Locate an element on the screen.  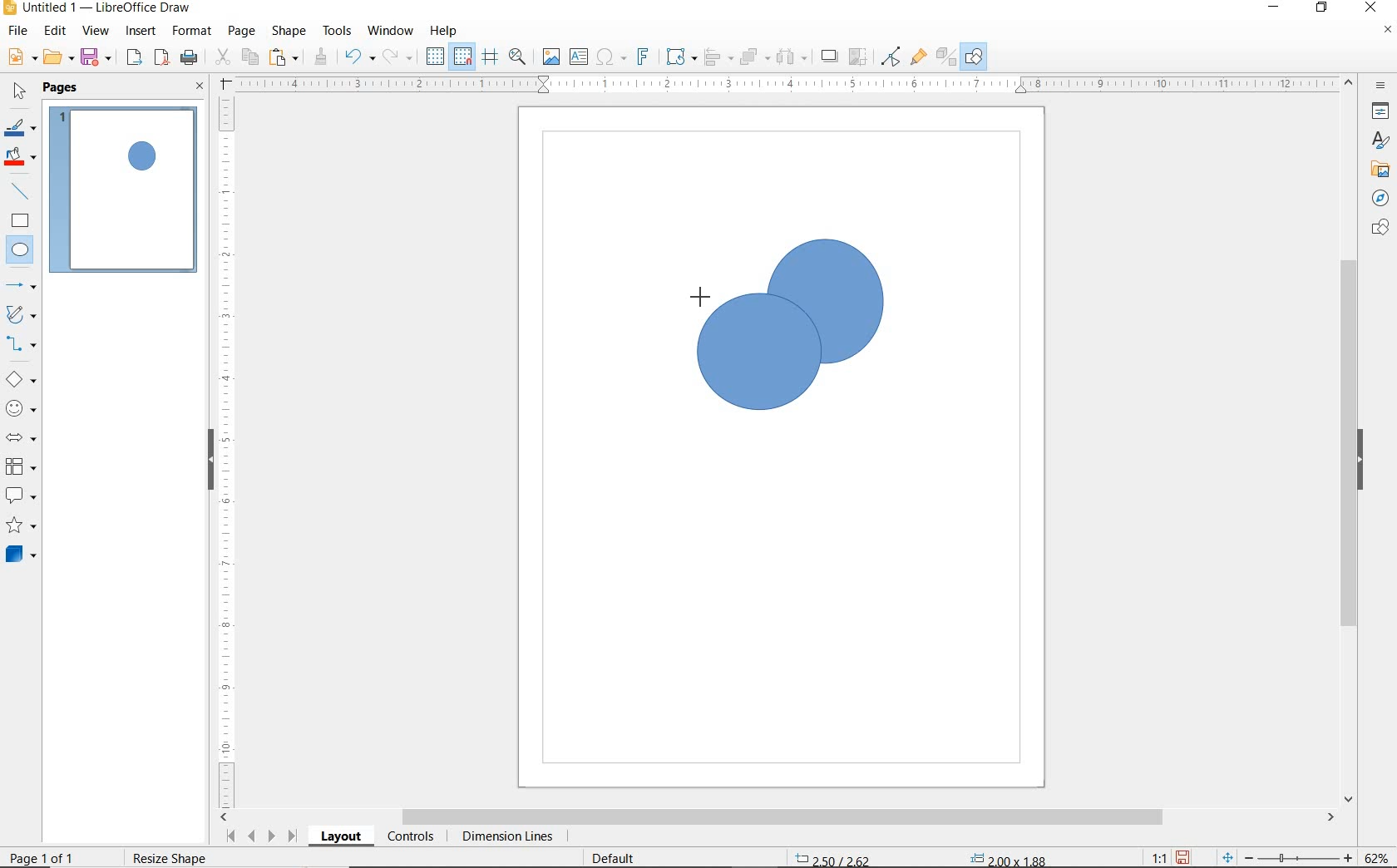
CONTROLS is located at coordinates (412, 838).